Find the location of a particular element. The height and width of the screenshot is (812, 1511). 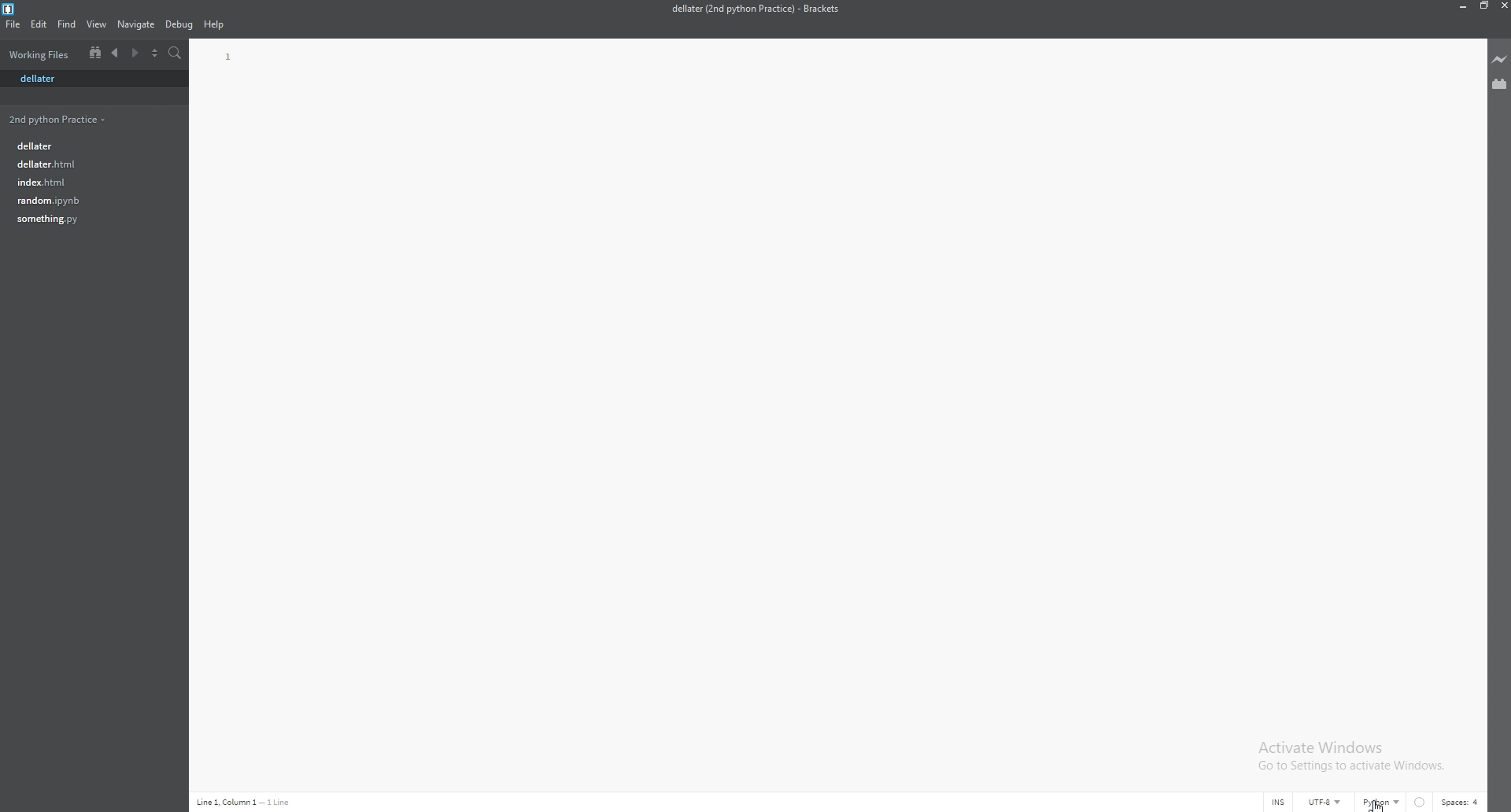

brackets is located at coordinates (9, 9).